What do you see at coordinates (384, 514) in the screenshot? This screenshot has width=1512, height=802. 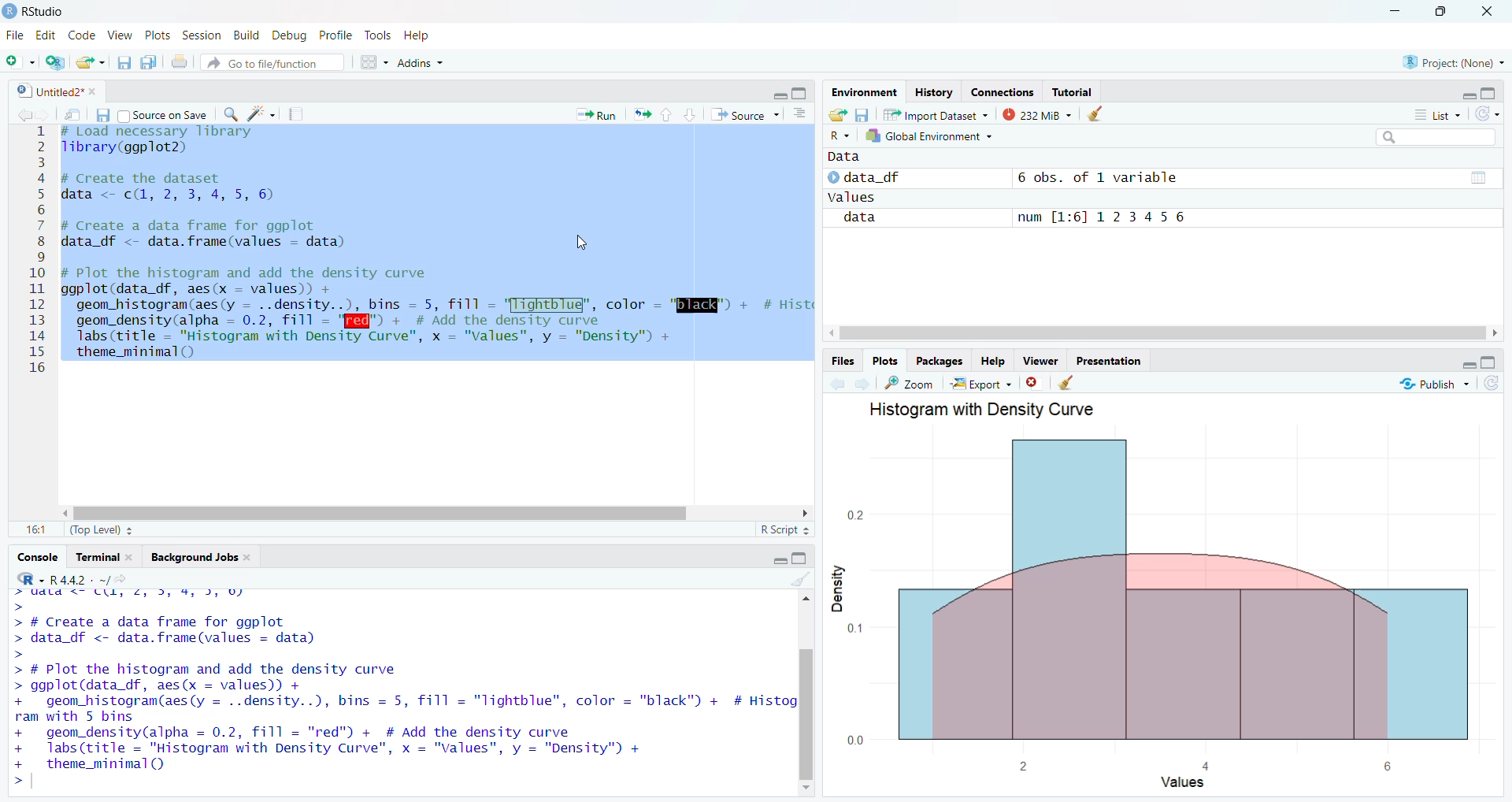 I see `horizontal scroll bar` at bounding box center [384, 514].